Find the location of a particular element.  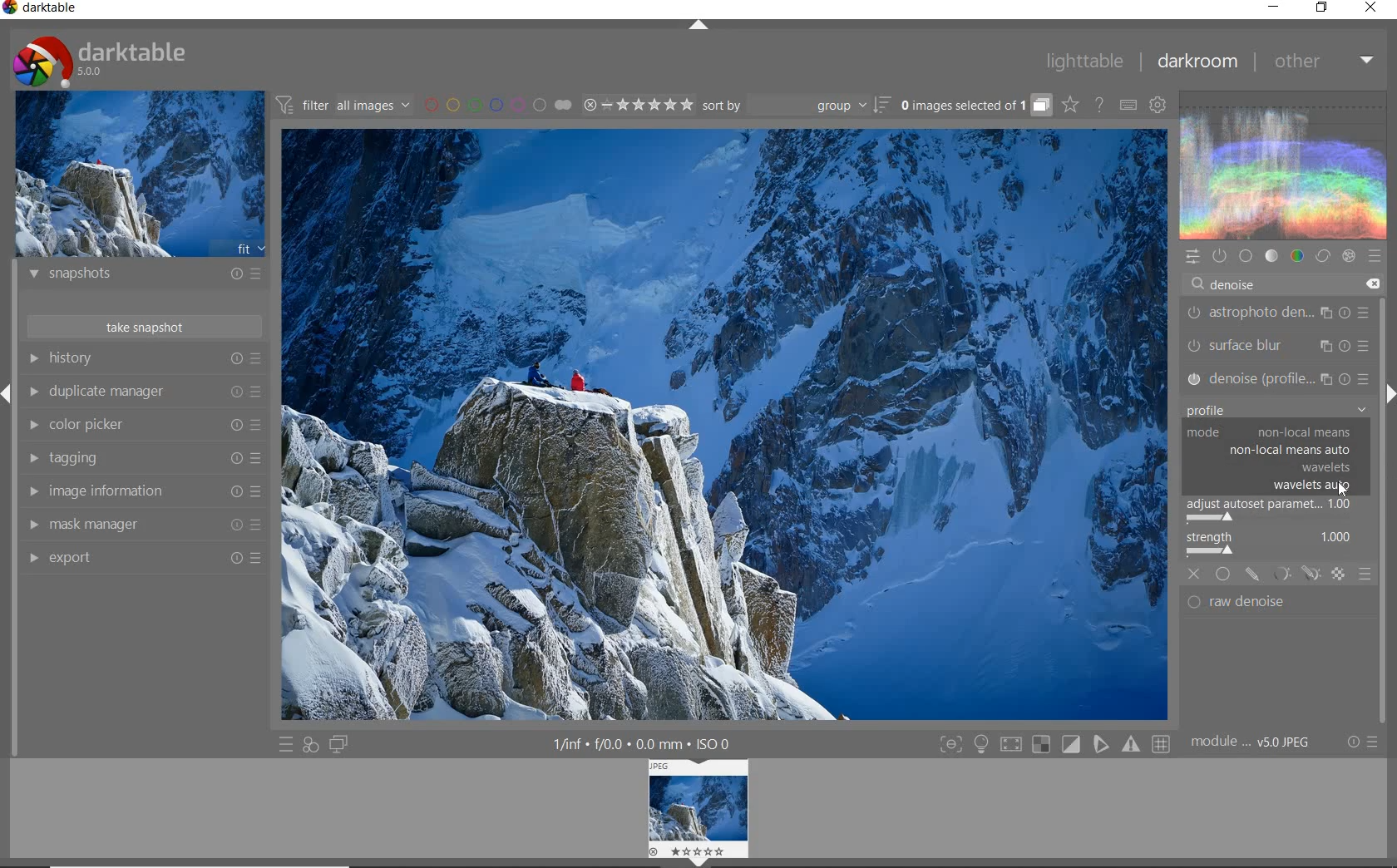

reset or presets and preferences is located at coordinates (1365, 742).